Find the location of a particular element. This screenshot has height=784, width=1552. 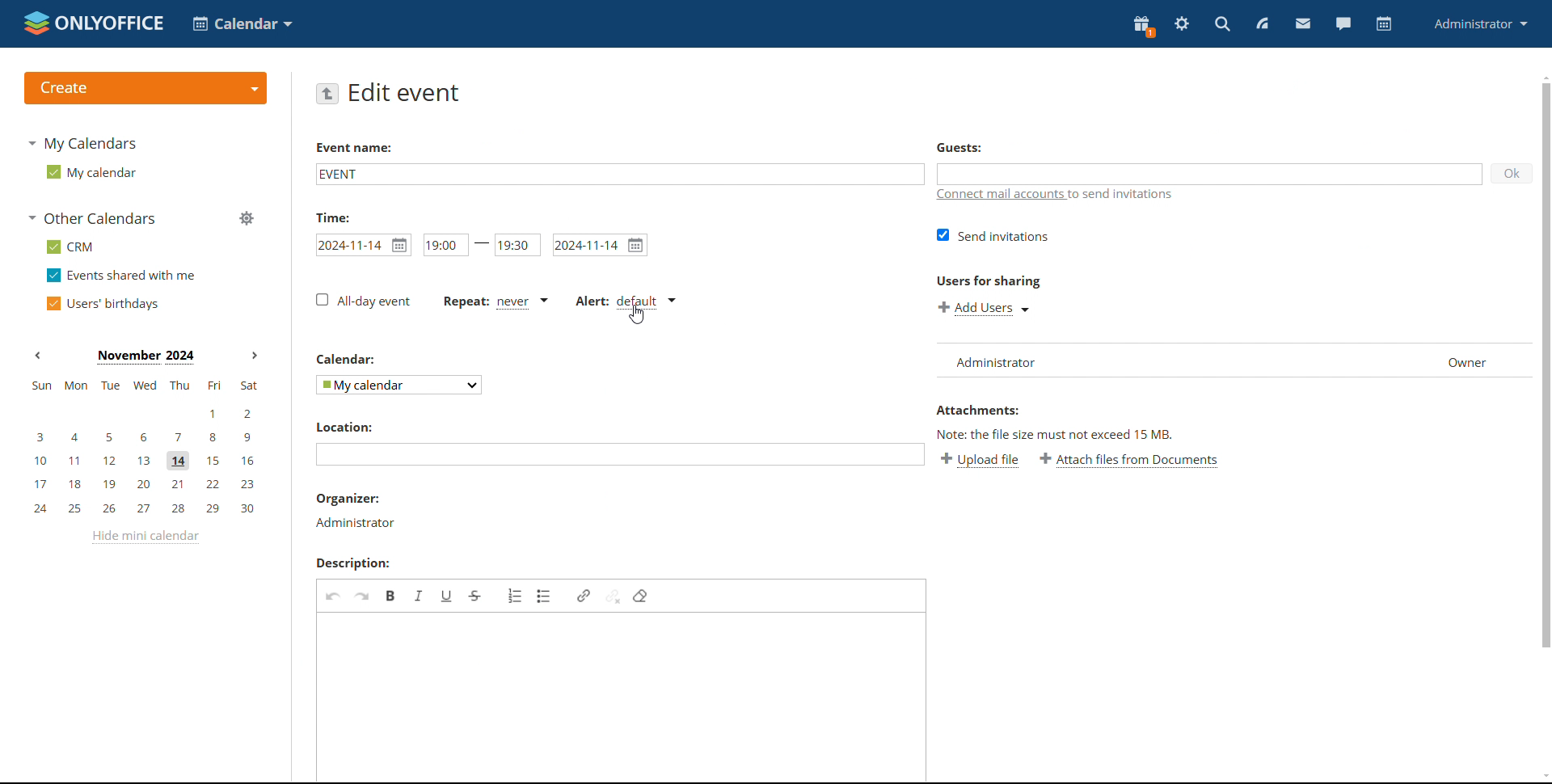

start time is located at coordinates (444, 245).